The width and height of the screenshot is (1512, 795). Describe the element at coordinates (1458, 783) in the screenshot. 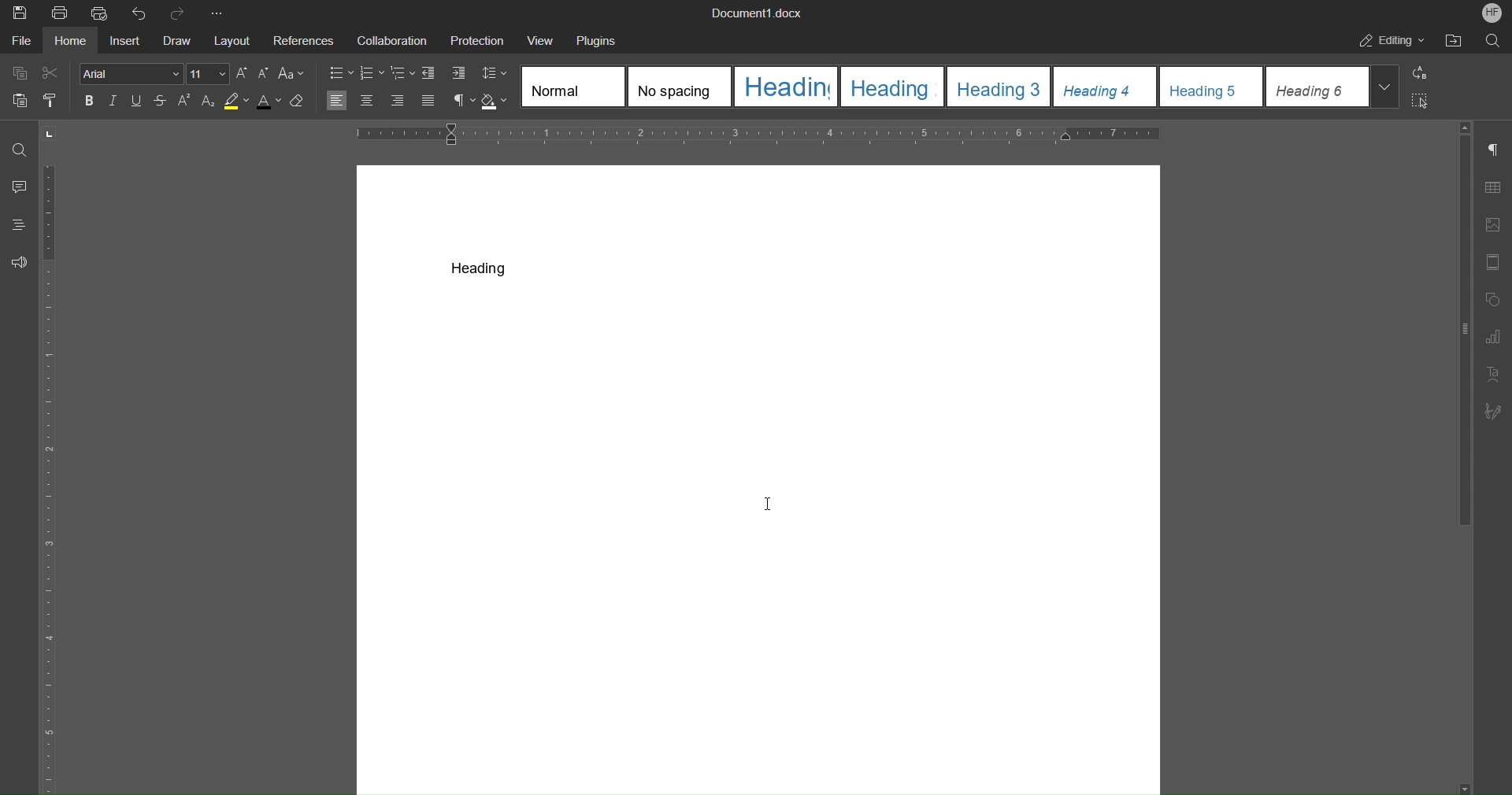

I see `Move down` at that location.